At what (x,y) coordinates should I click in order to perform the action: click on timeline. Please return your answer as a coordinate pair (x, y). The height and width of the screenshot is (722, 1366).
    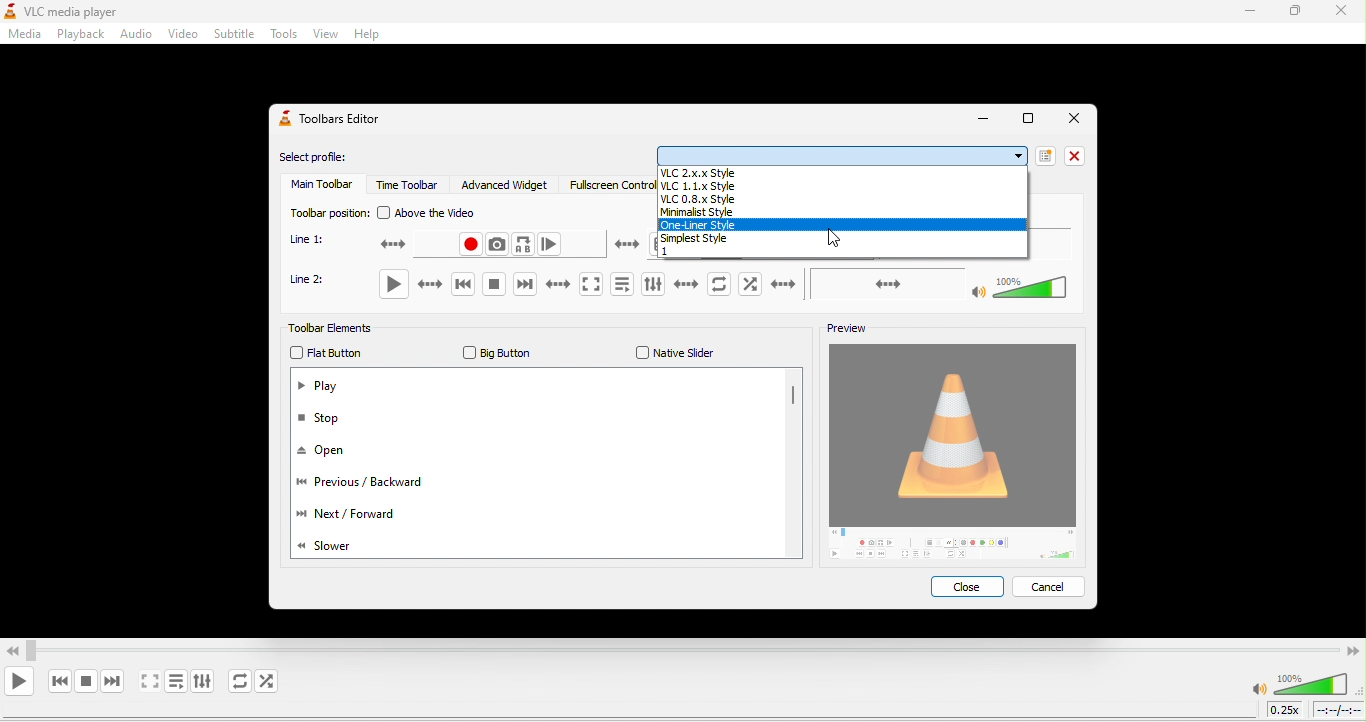
    Looking at the image, I should click on (1339, 712).